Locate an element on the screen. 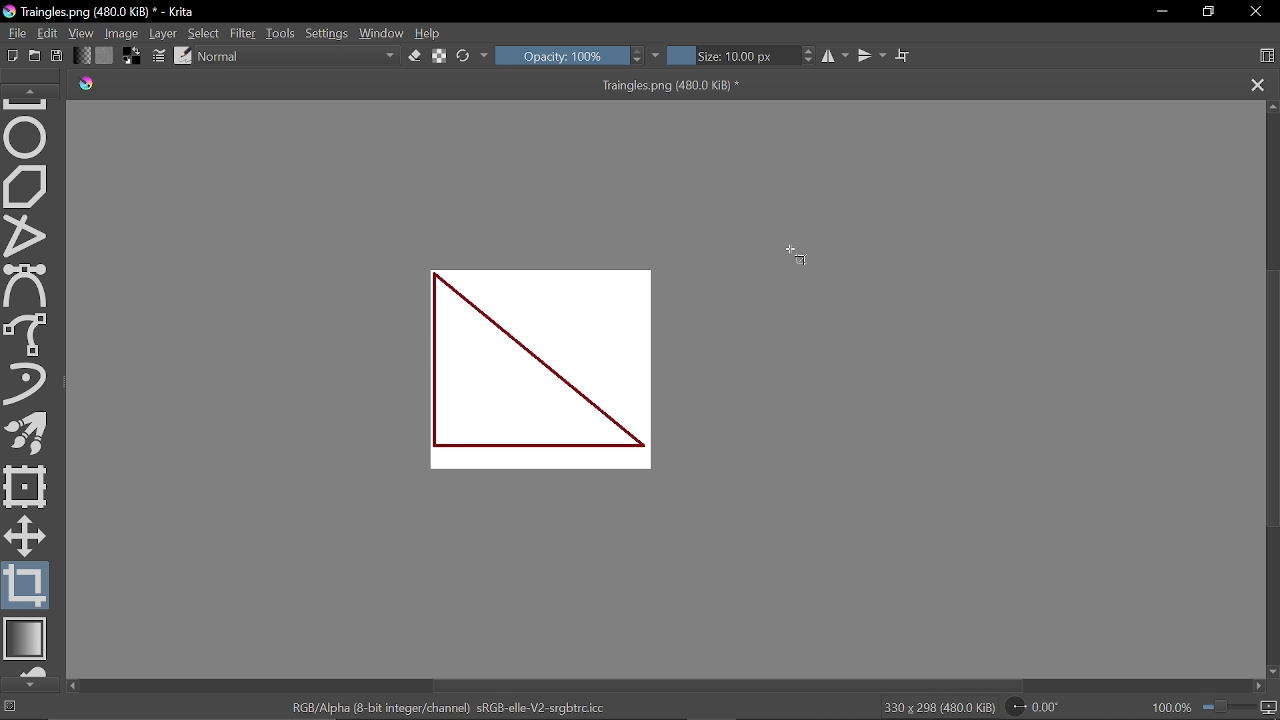 This screenshot has width=1280, height=720. Edit is located at coordinates (49, 34).